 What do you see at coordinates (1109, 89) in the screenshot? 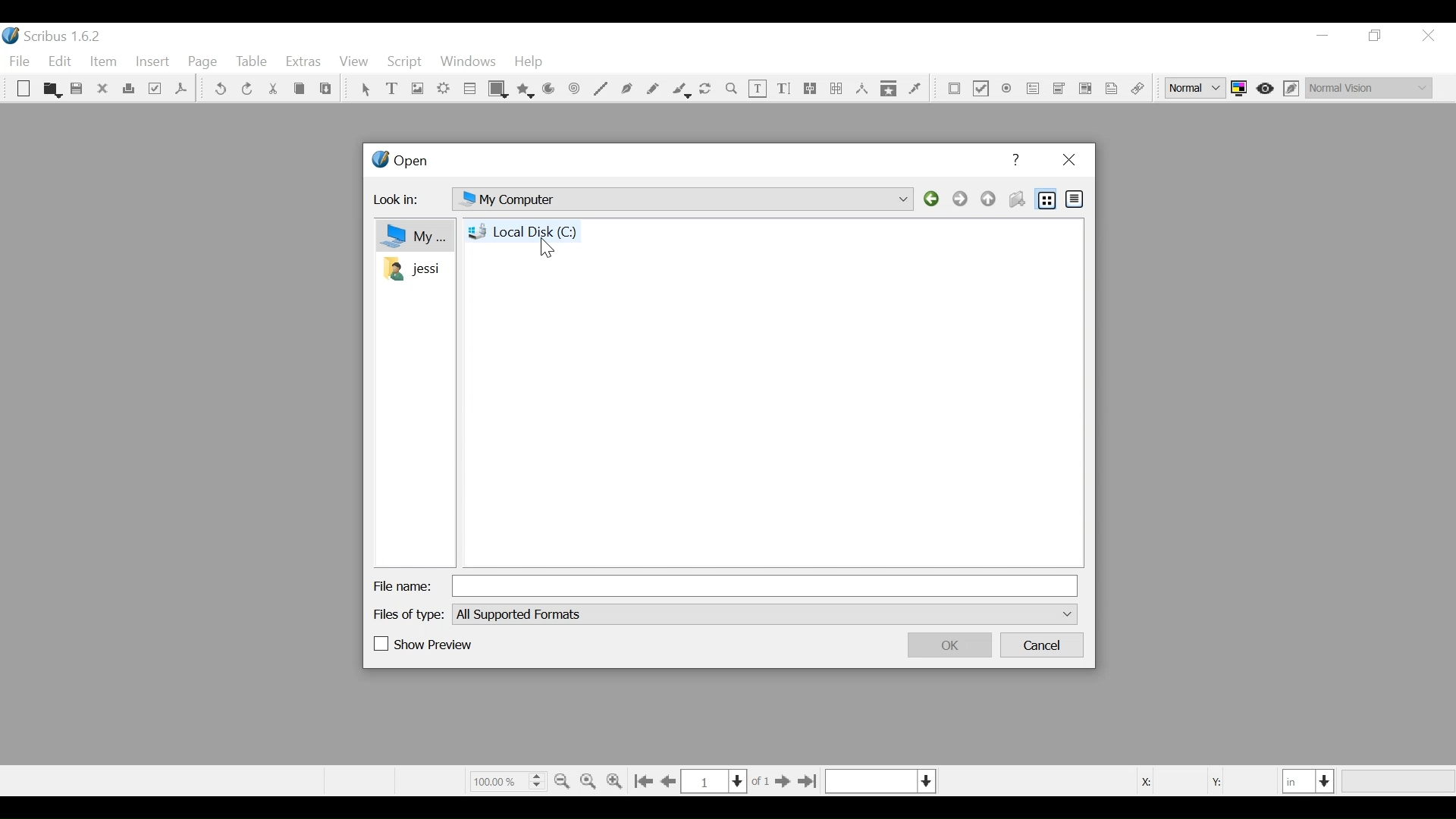
I see `Text Annotation` at bounding box center [1109, 89].